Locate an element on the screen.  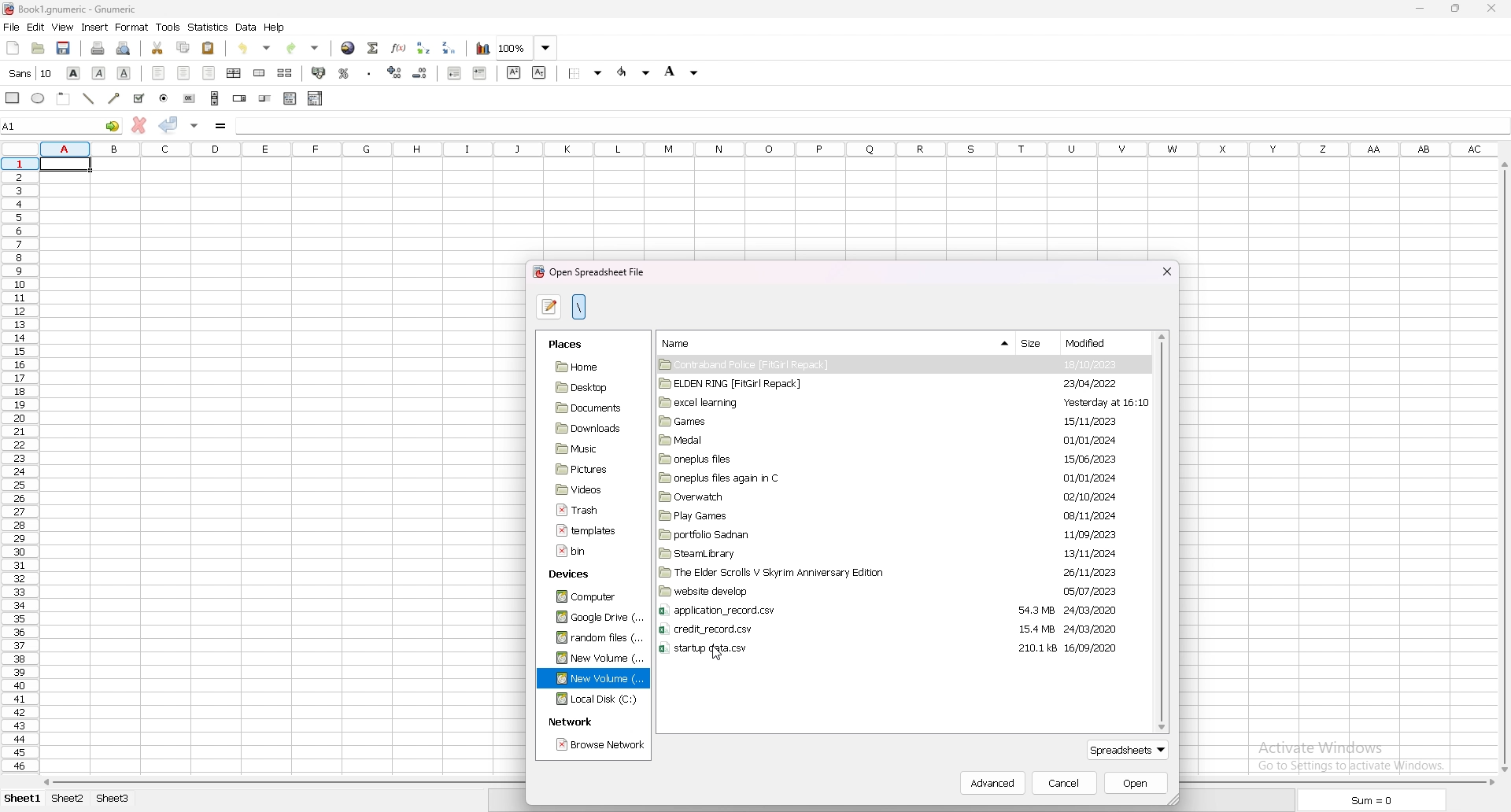
places is located at coordinates (573, 343).